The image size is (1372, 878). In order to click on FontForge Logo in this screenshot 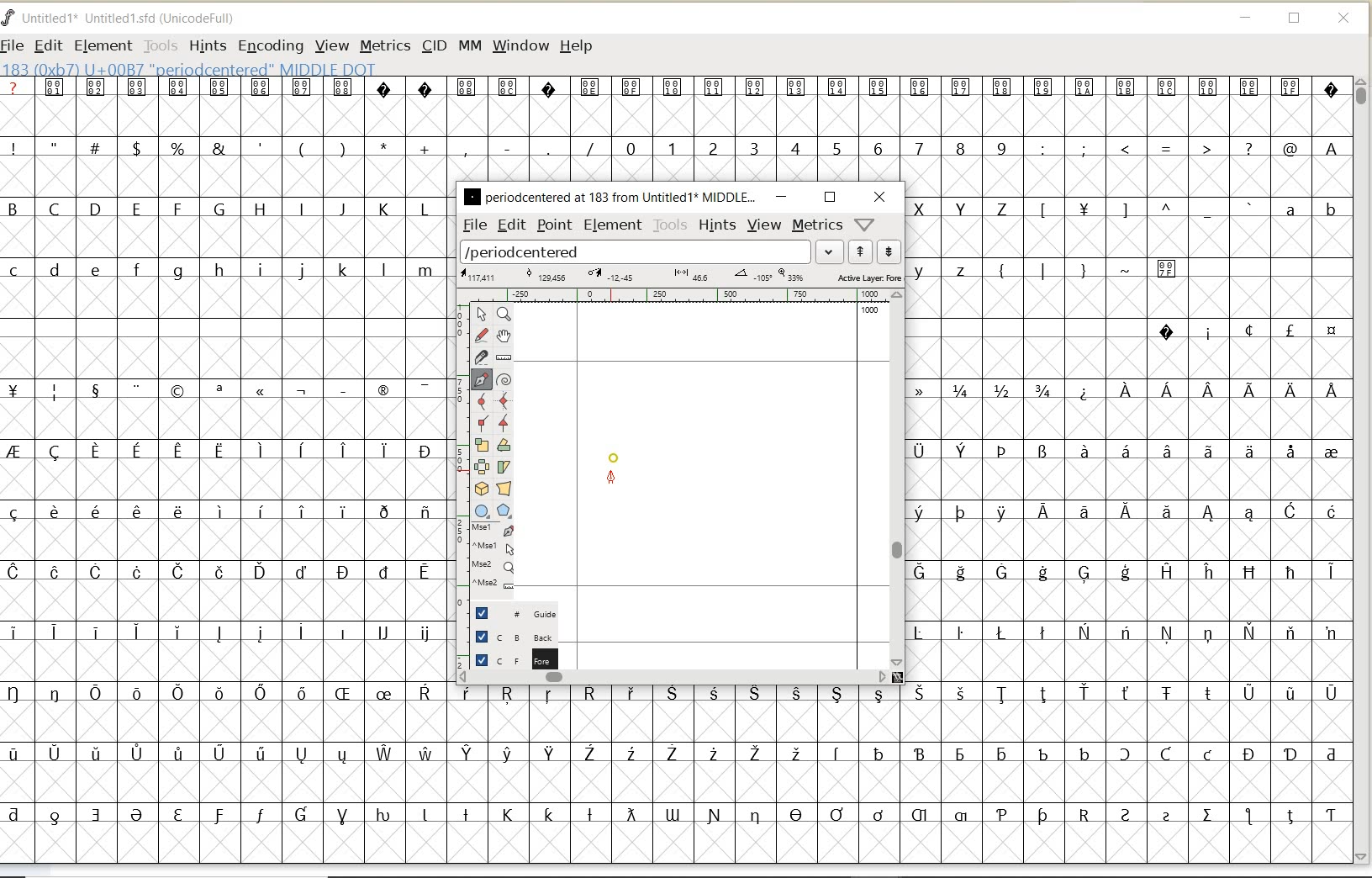, I will do `click(9, 16)`.